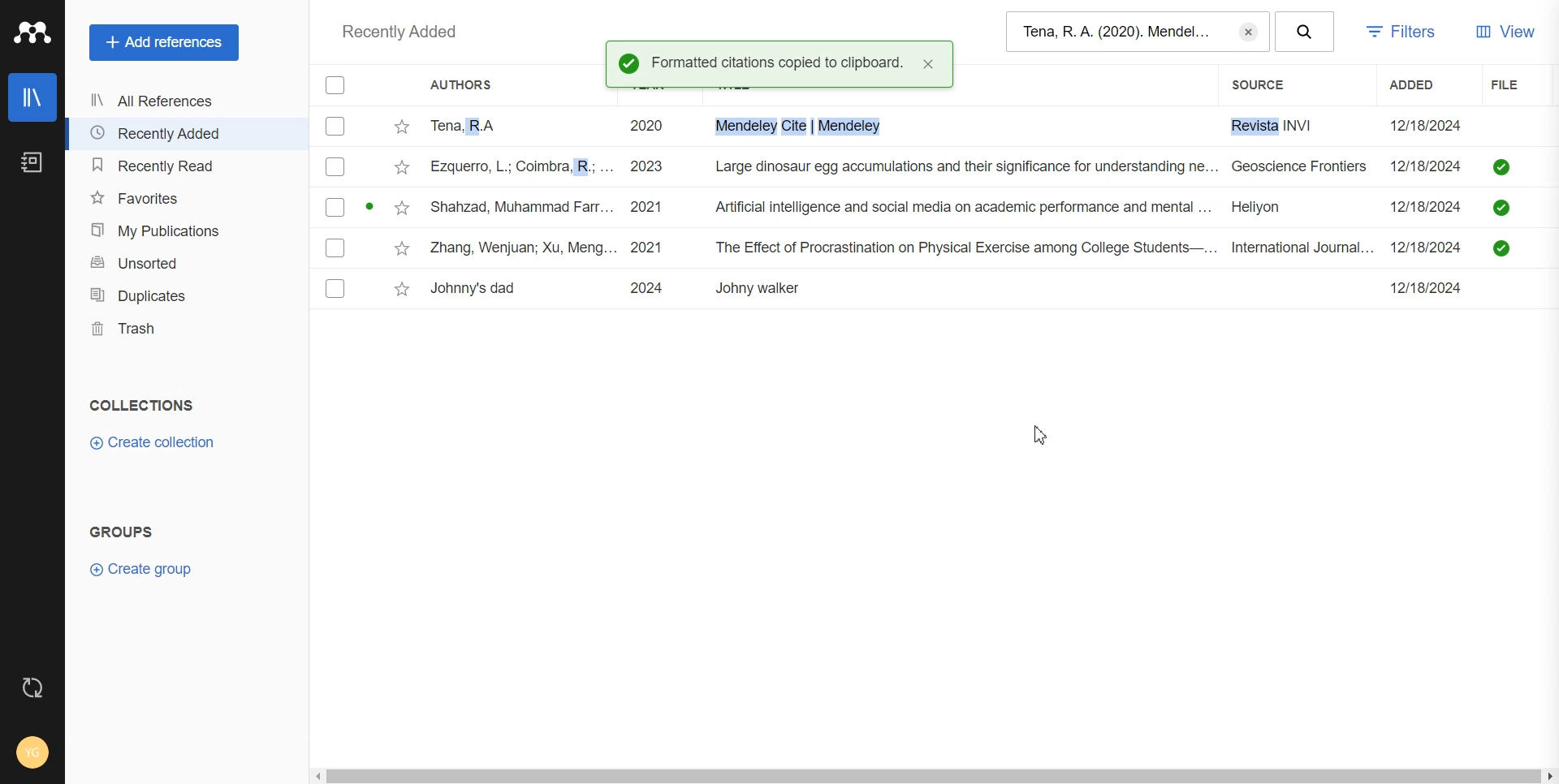 The image size is (1559, 784). What do you see at coordinates (904, 167) in the screenshot?
I see `ezquerro, L.; Coimbra, R.; ... 2023 Large dinosaur egg accumulations and their significance for understanding ne... Geoscience Frontiers` at bounding box center [904, 167].